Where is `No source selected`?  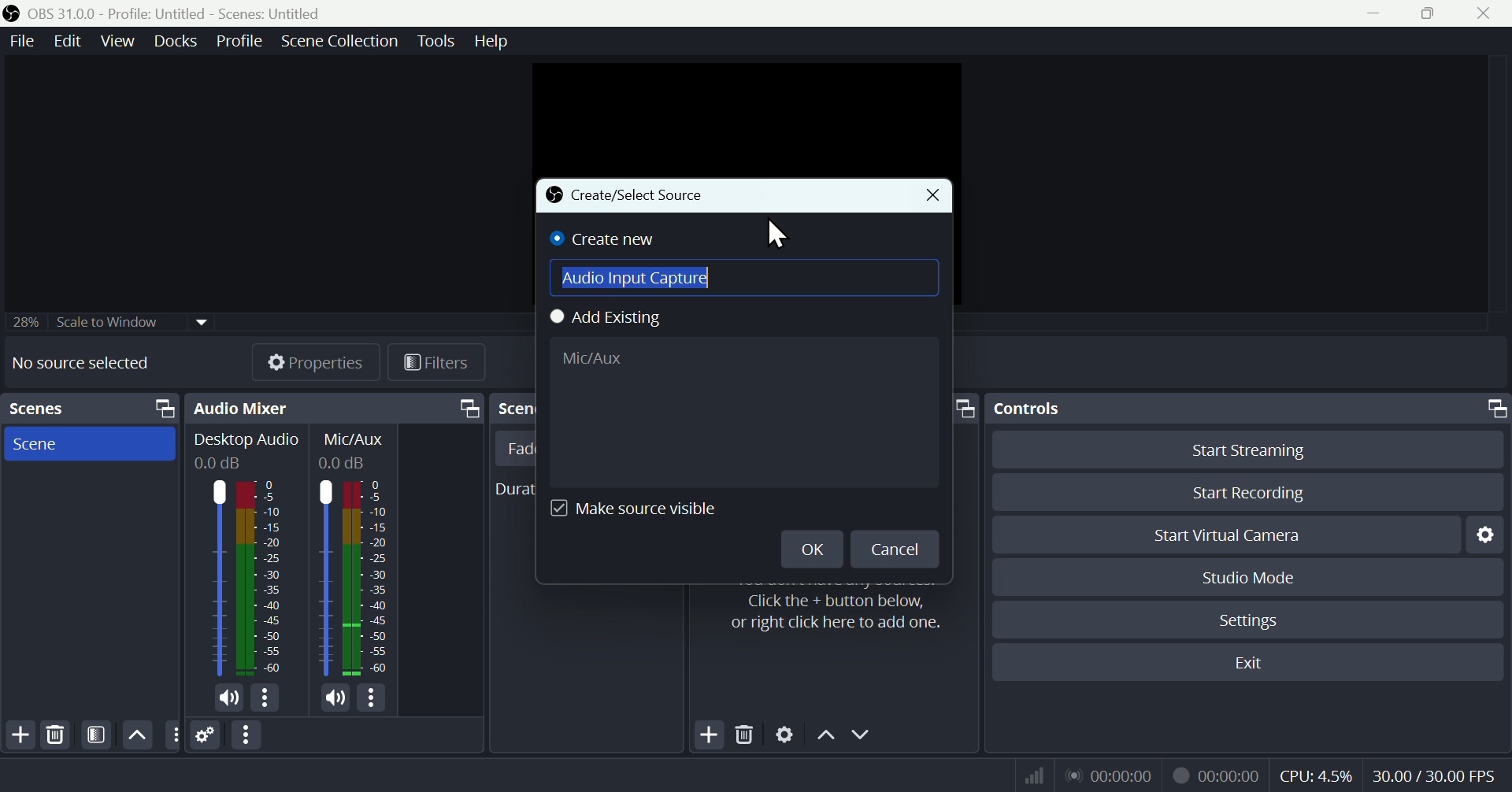
No source selected is located at coordinates (80, 362).